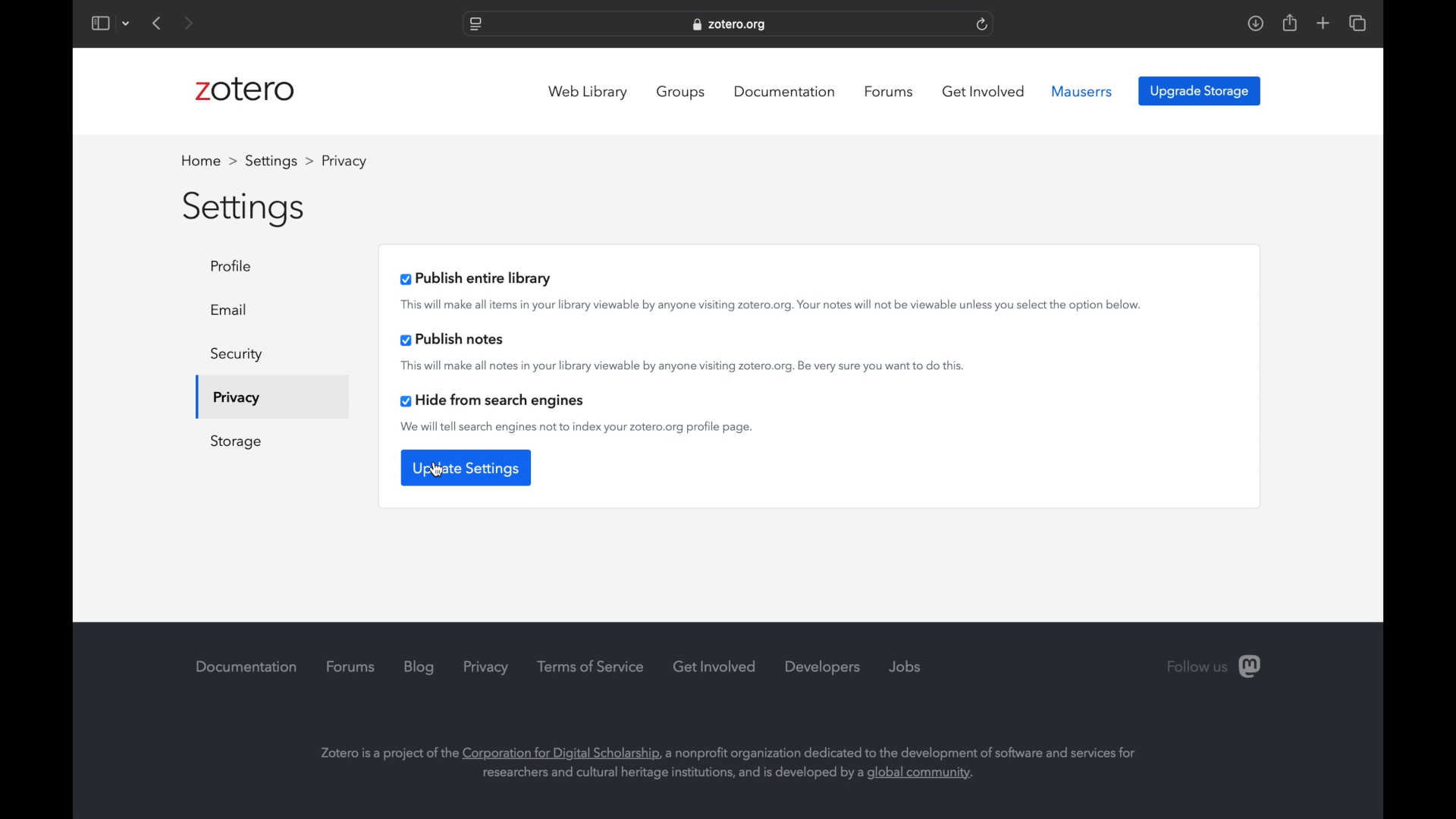 The image size is (1456, 819). What do you see at coordinates (350, 667) in the screenshot?
I see `forums` at bounding box center [350, 667].